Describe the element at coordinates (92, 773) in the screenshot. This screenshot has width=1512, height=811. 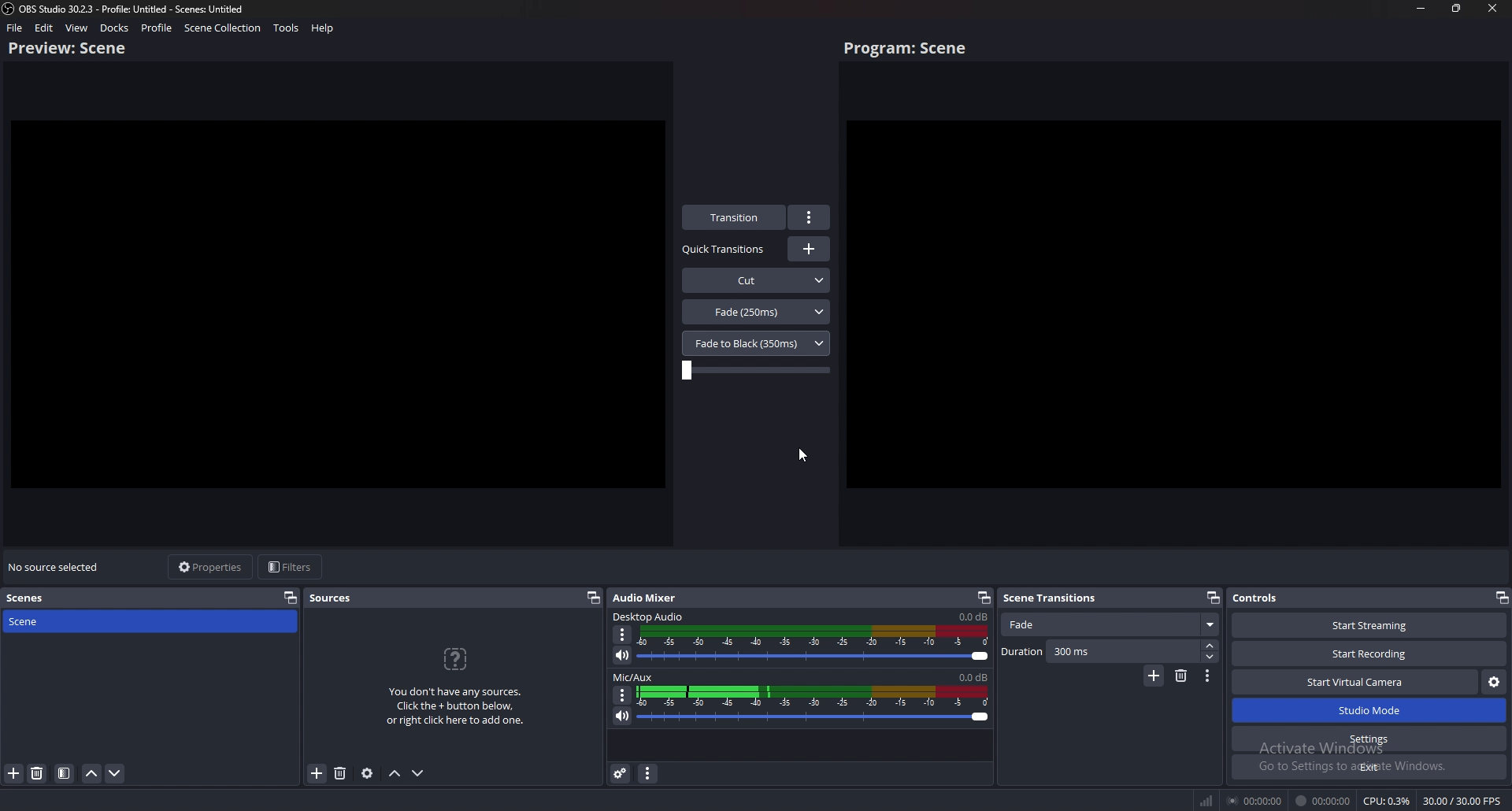
I see `move scene up` at that location.